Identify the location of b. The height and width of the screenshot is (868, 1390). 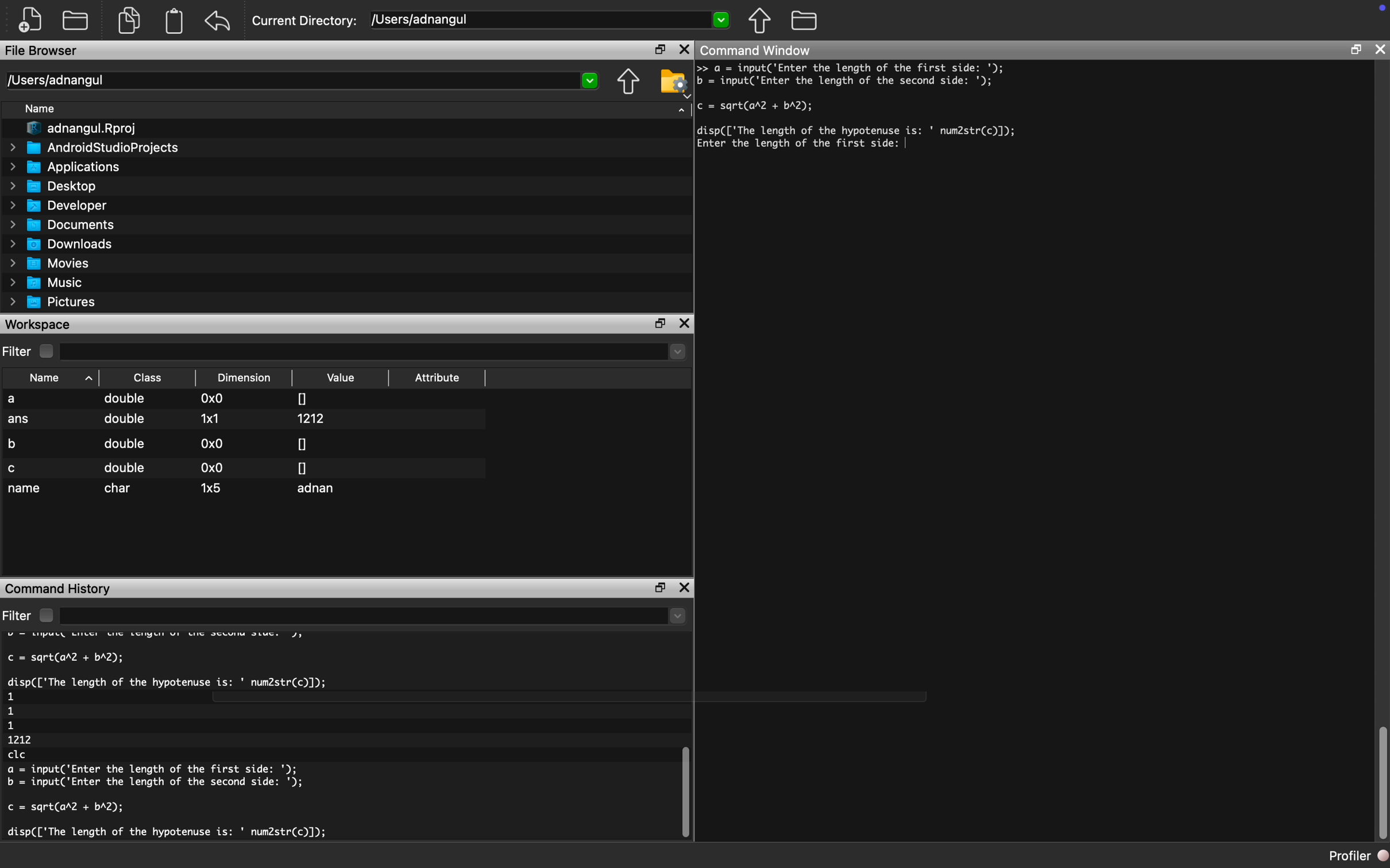
(17, 442).